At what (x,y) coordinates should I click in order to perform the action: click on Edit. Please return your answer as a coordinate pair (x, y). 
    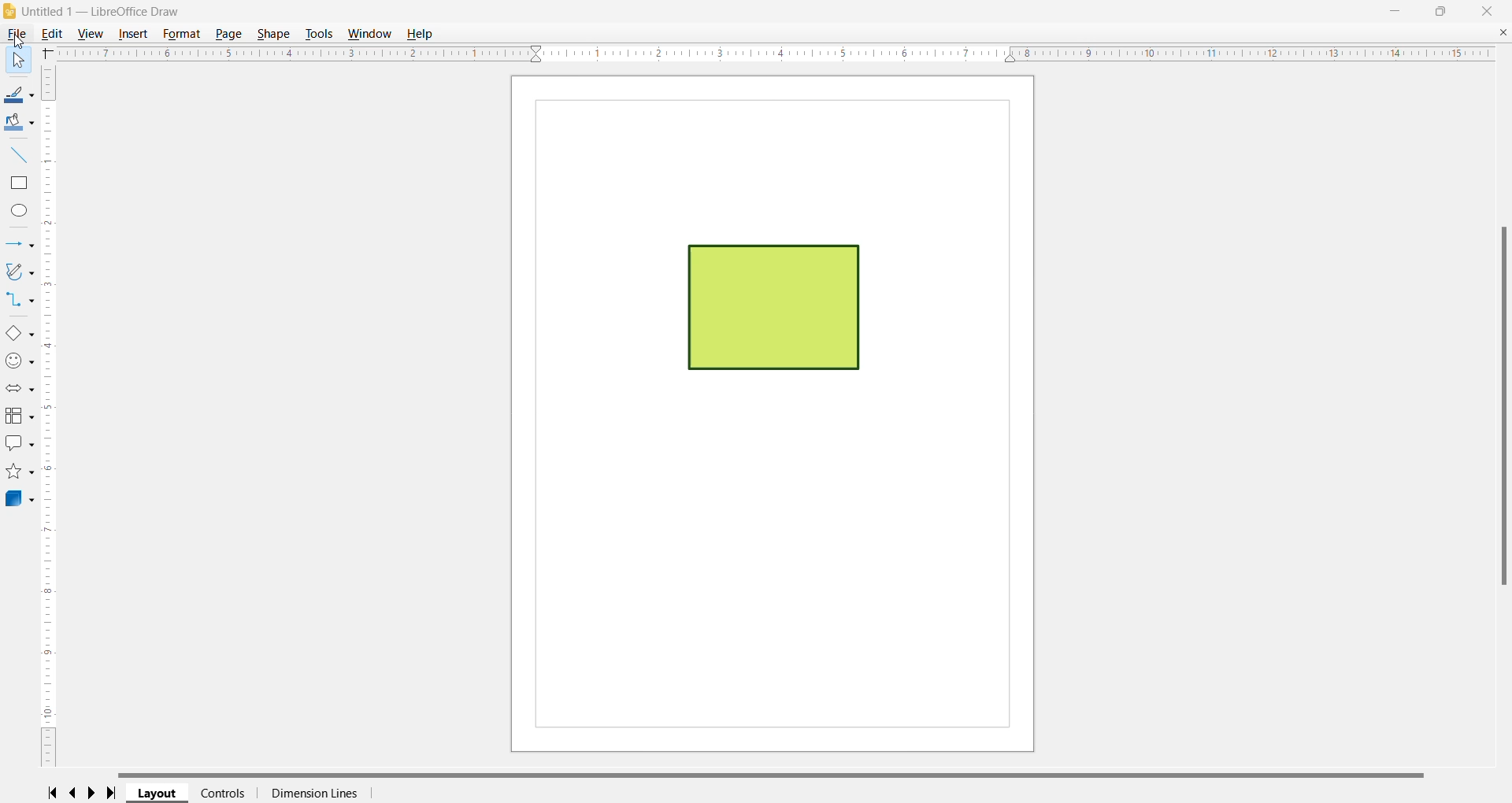
    Looking at the image, I should click on (54, 34).